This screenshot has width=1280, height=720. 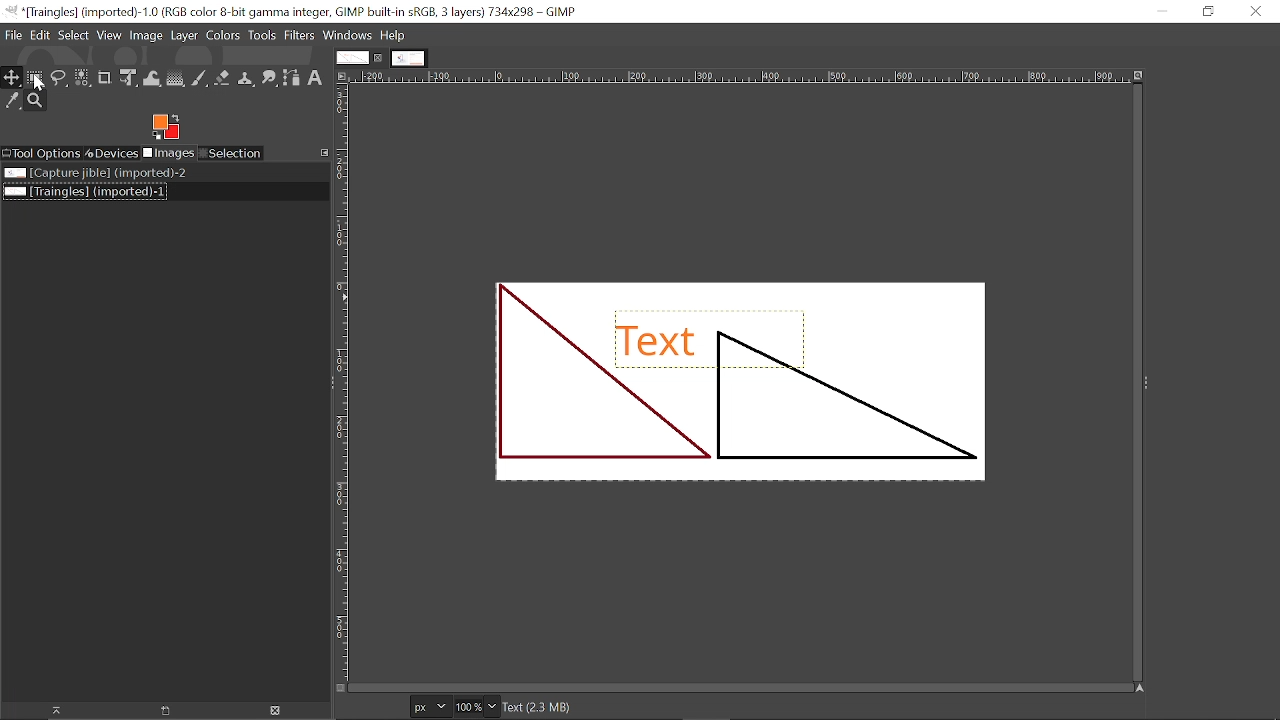 What do you see at coordinates (1138, 689) in the screenshot?
I see `Navigate this window` at bounding box center [1138, 689].